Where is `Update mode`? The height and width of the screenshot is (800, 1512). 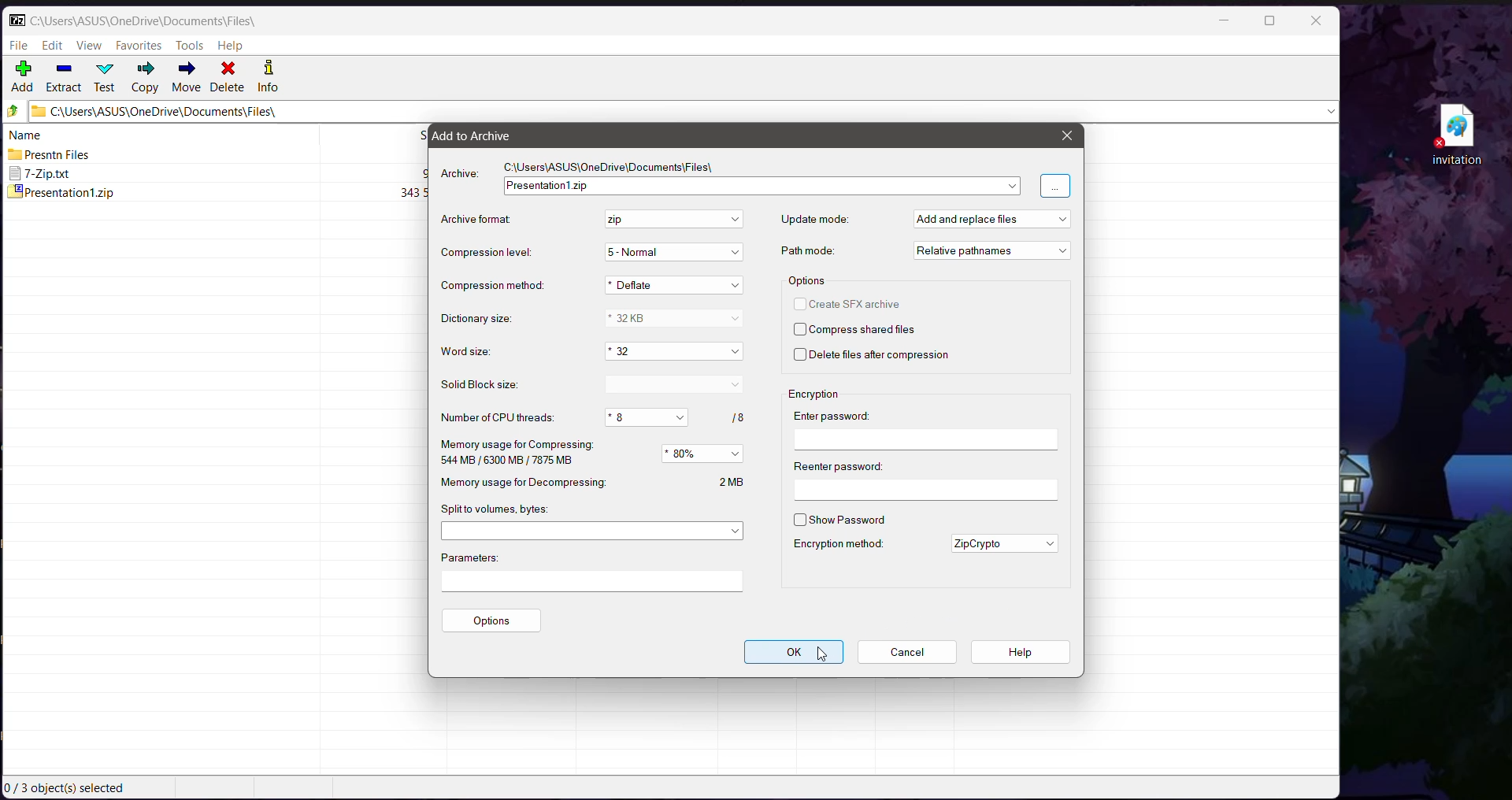 Update mode is located at coordinates (814, 220).